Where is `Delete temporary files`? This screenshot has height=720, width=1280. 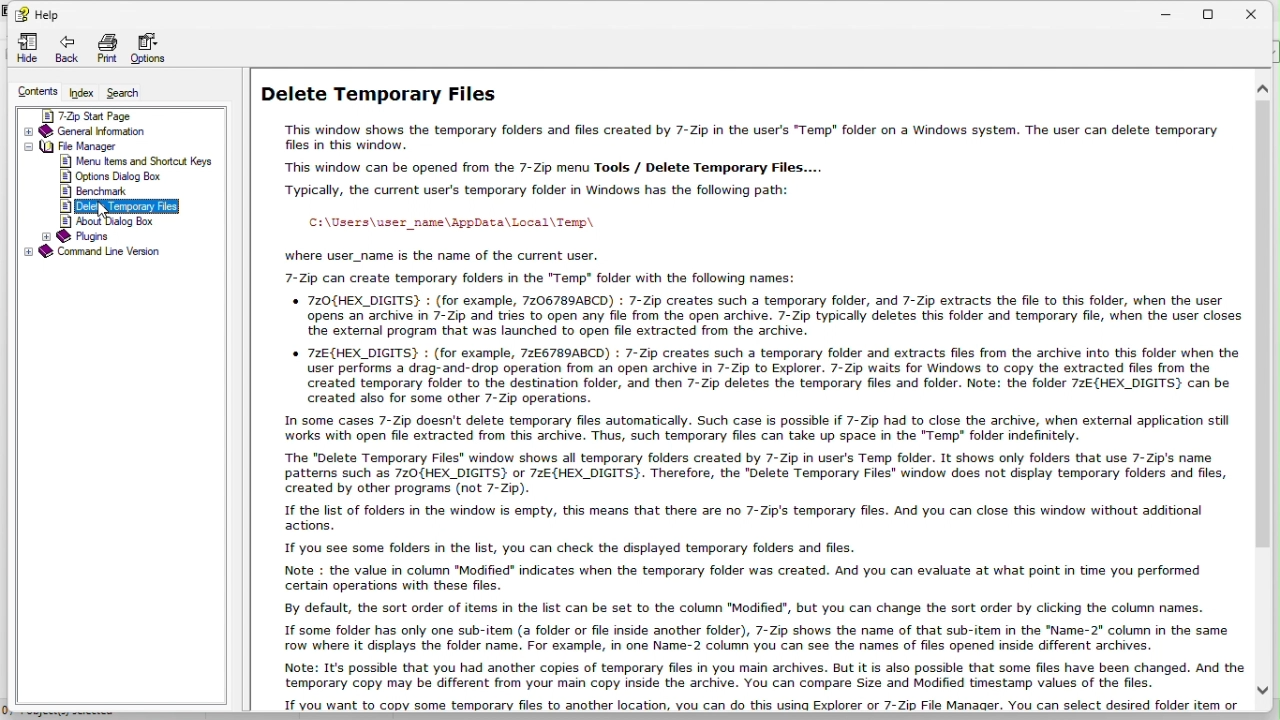 Delete temporary files is located at coordinates (129, 207).